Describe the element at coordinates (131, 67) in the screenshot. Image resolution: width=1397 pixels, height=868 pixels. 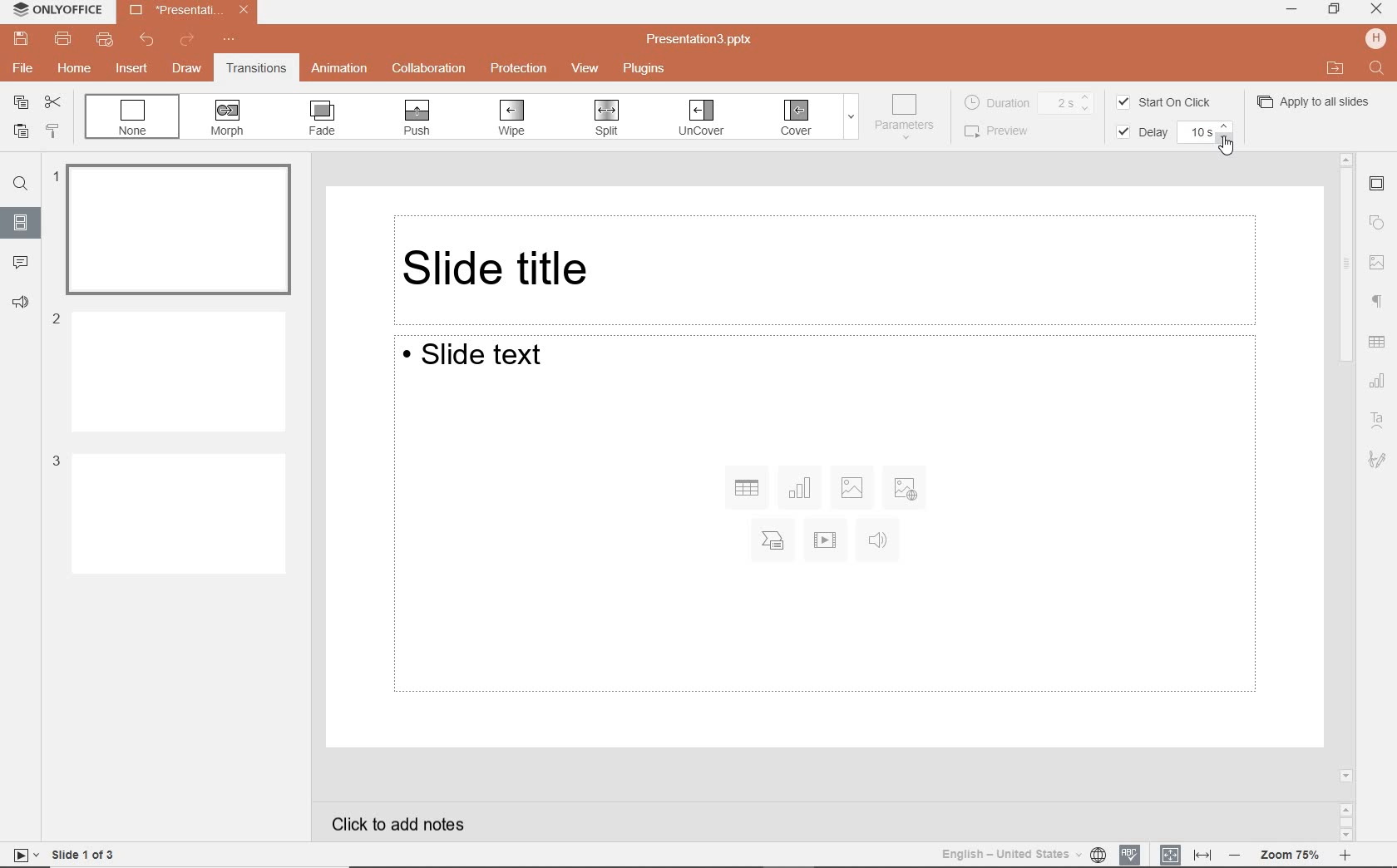
I see `insert` at that location.